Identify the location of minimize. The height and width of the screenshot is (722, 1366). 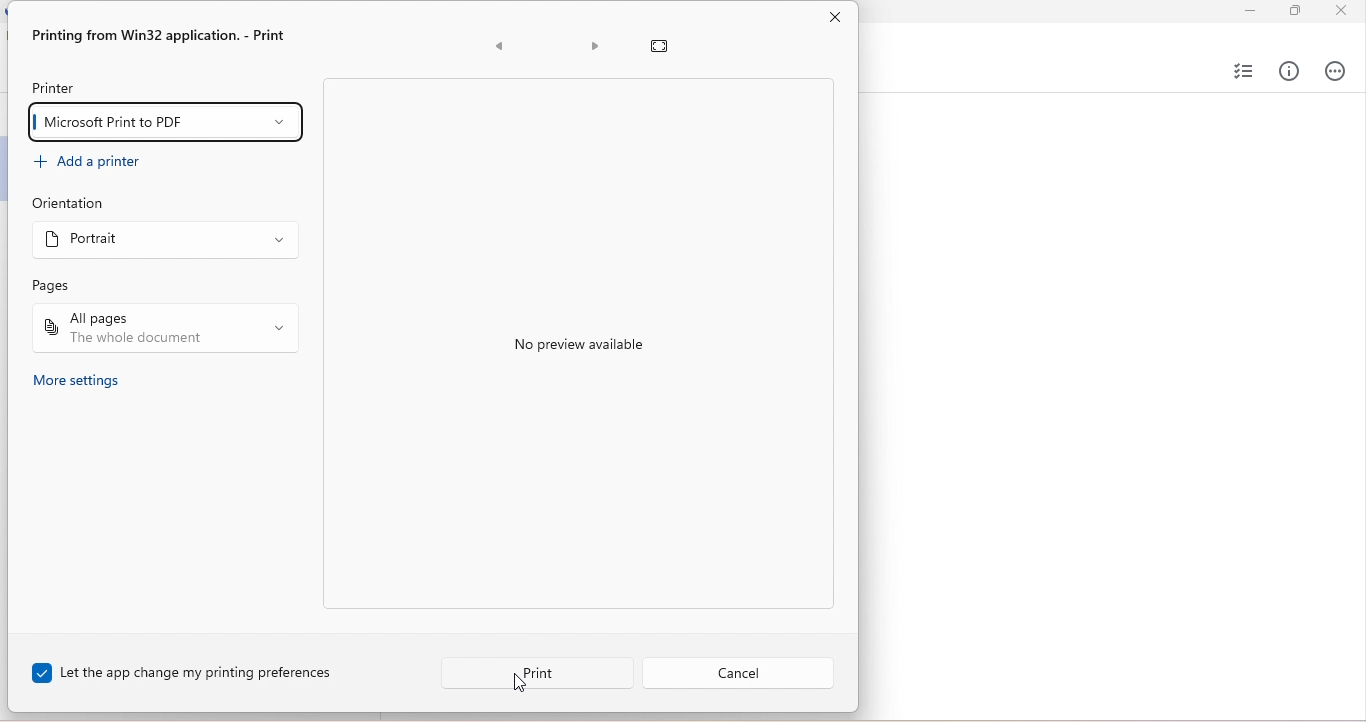
(1244, 10).